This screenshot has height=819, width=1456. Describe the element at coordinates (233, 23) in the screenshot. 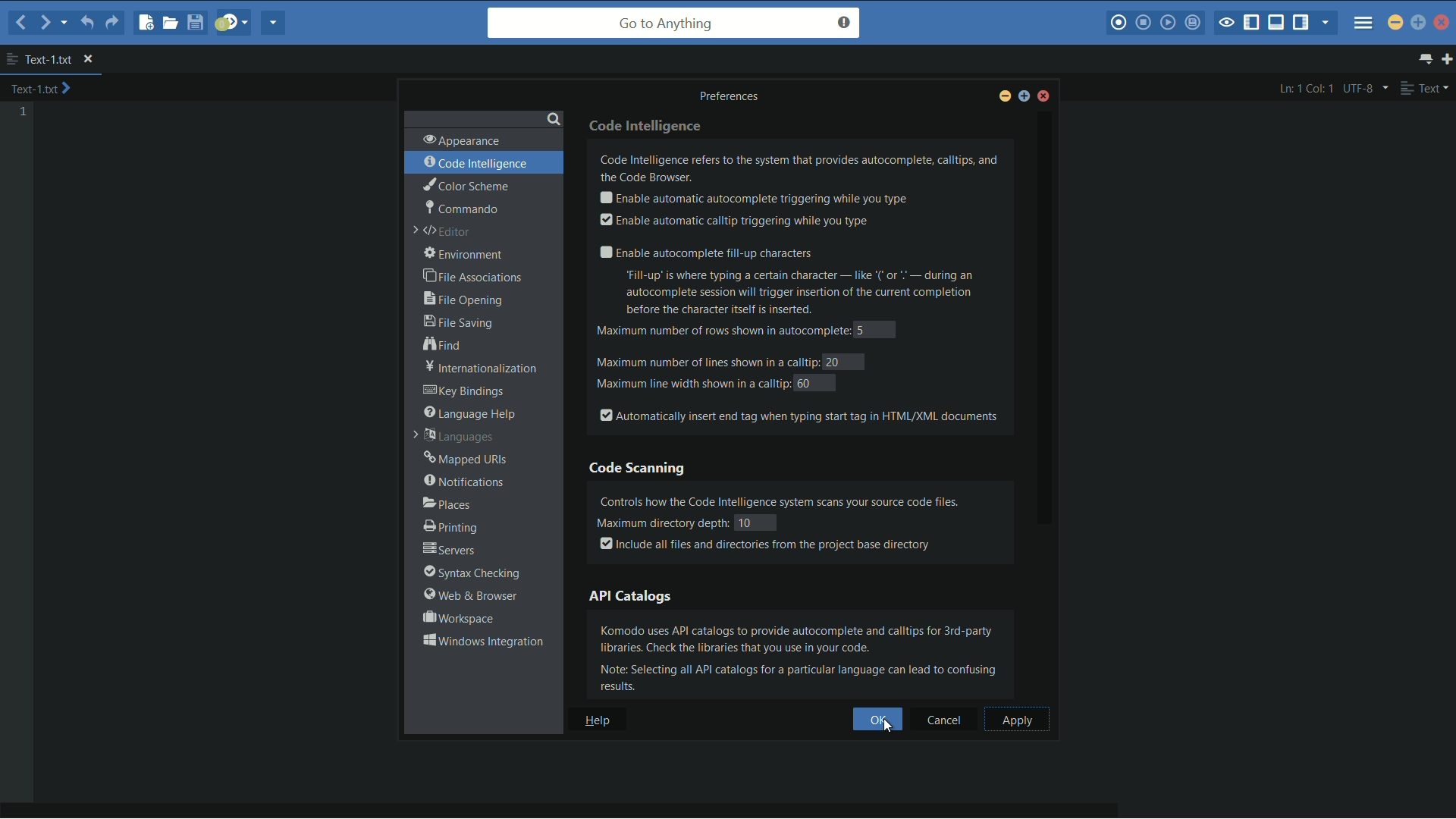

I see `jump to next syntax correcting result` at that location.